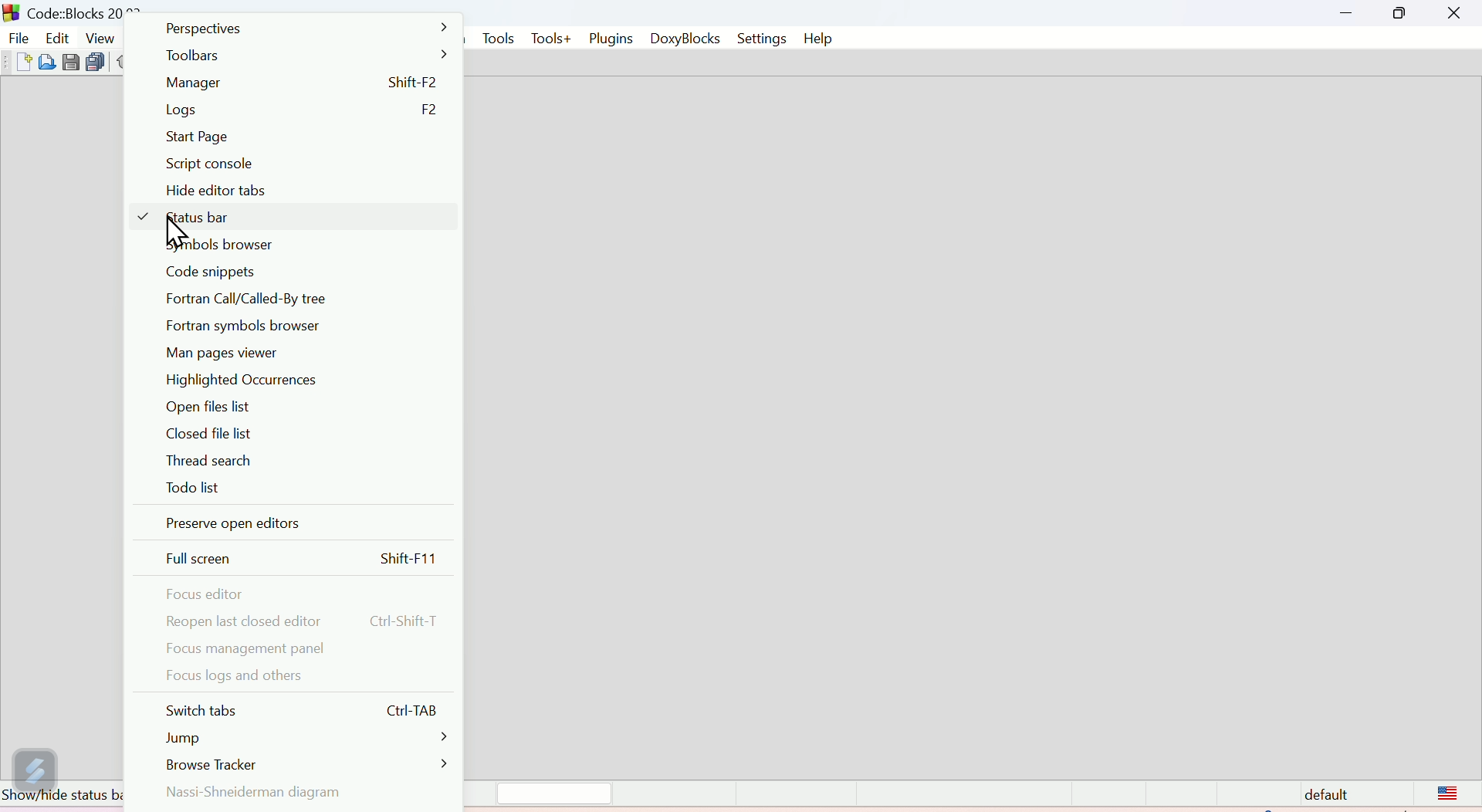  Describe the element at coordinates (289, 301) in the screenshot. I see `Fortran call` at that location.